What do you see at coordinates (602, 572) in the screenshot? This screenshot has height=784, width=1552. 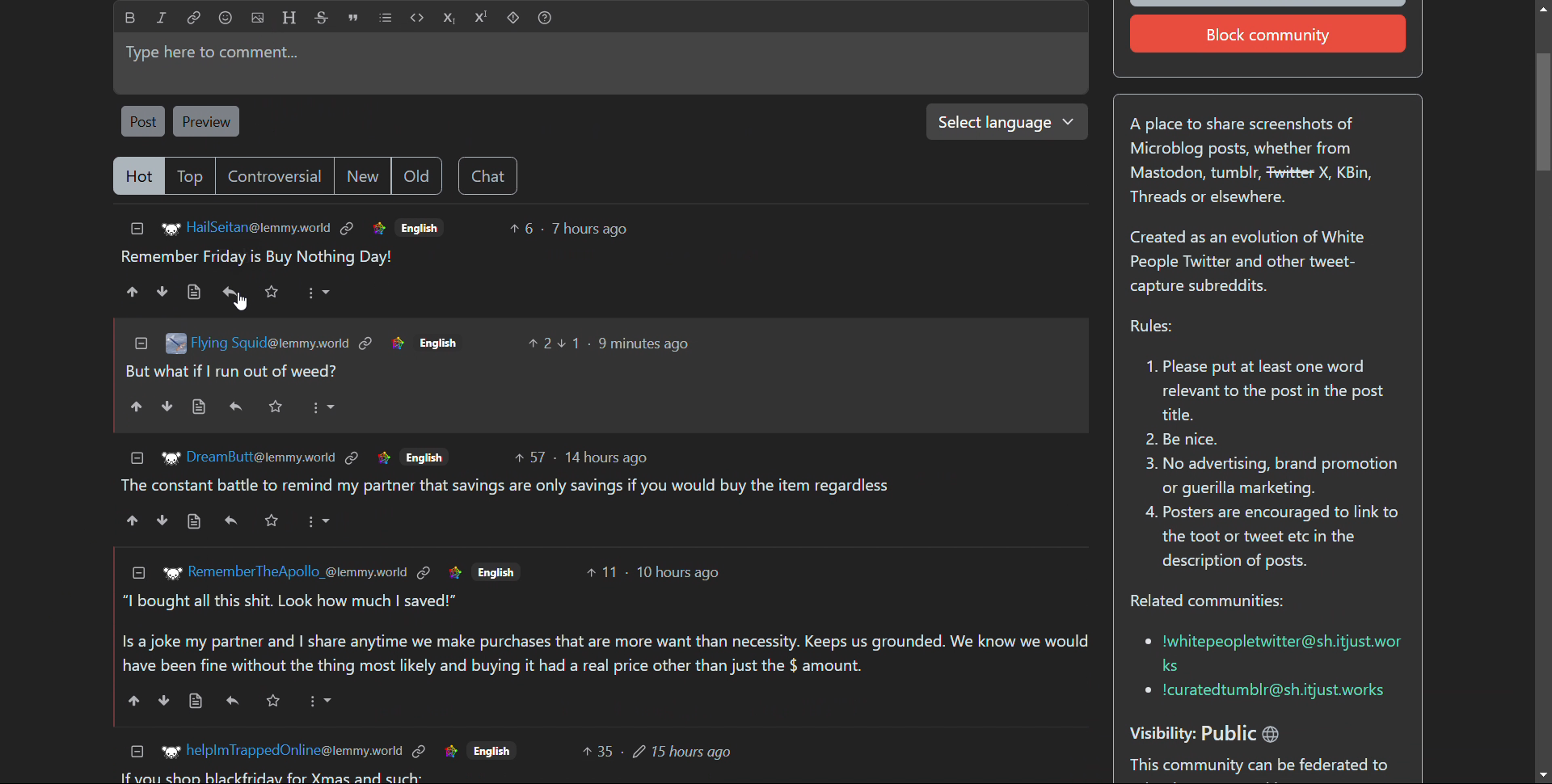 I see `number of upvotes` at bounding box center [602, 572].